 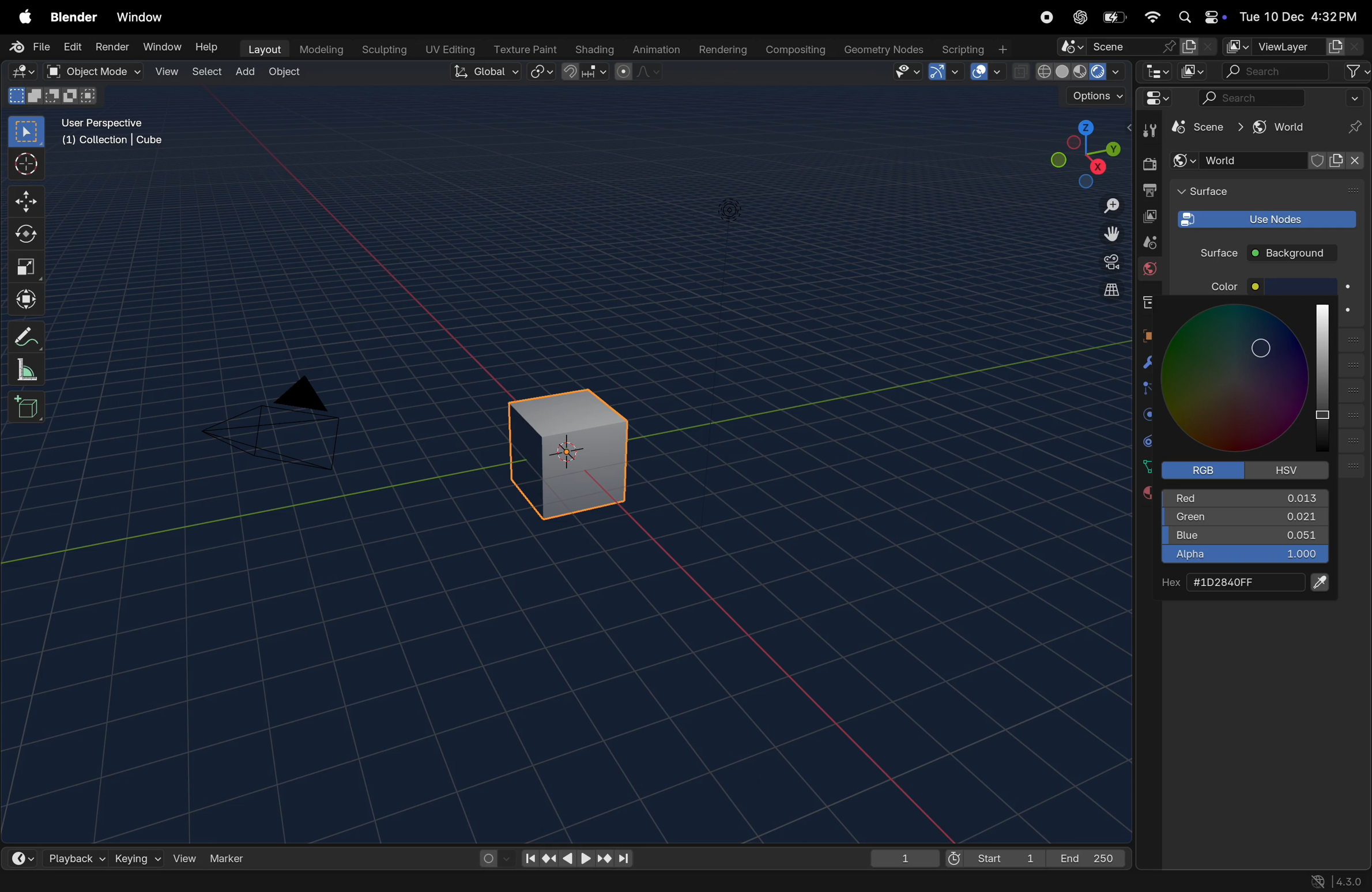 I want to click on Particles, so click(x=1149, y=390).